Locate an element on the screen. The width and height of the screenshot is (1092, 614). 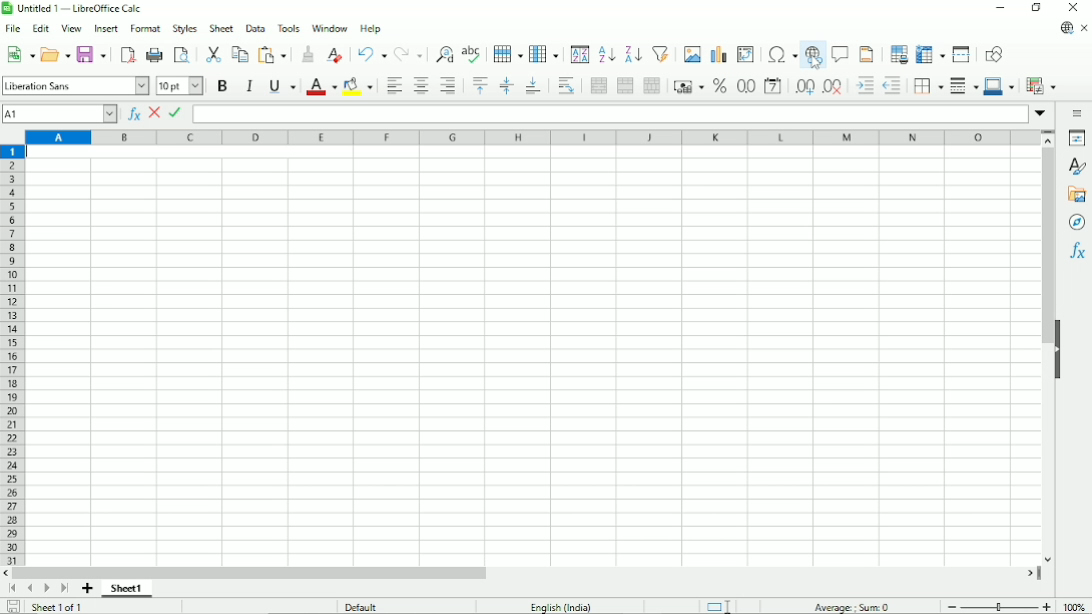
Cancel is located at coordinates (155, 114).